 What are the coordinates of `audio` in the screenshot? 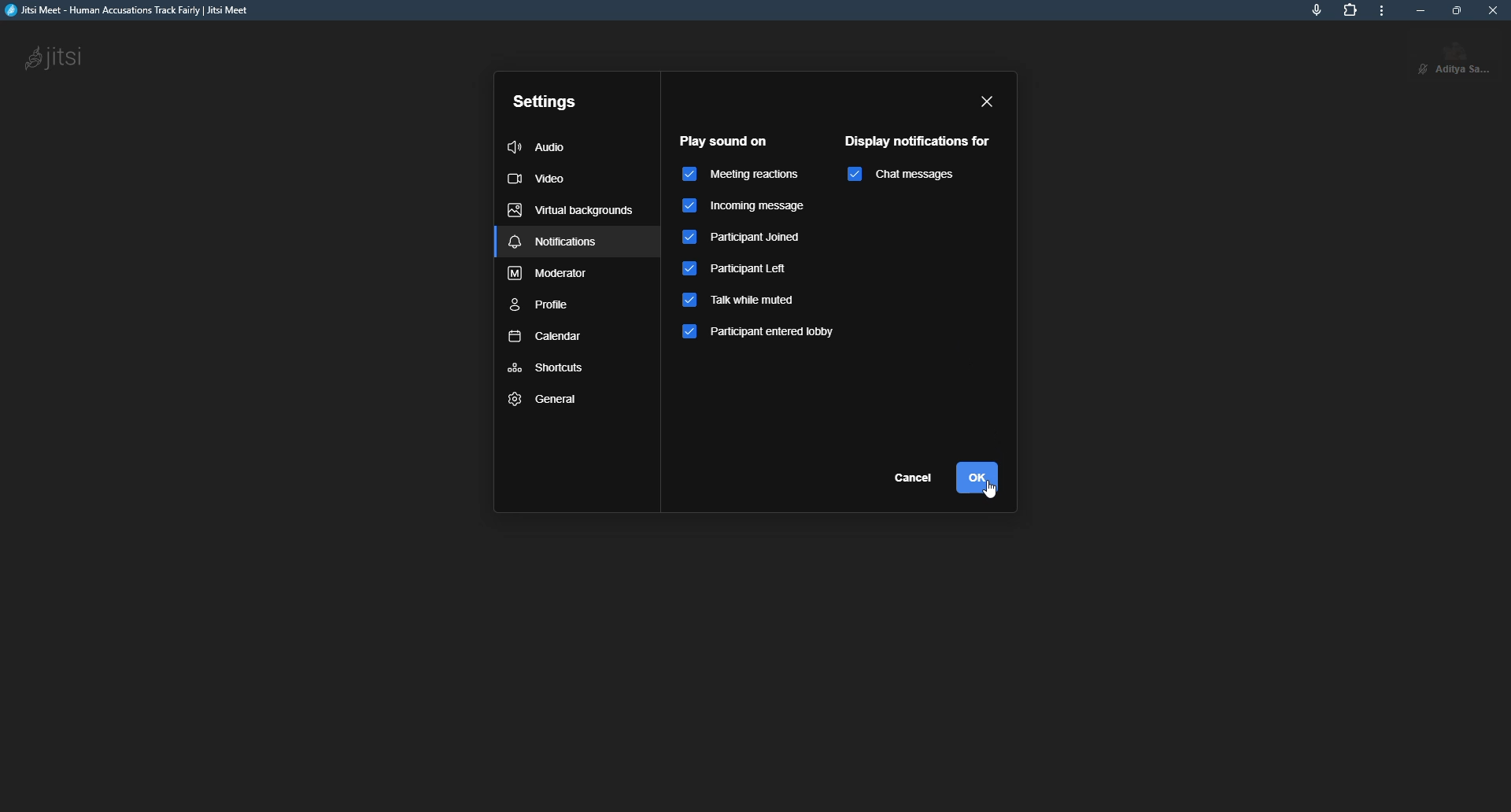 It's located at (539, 147).